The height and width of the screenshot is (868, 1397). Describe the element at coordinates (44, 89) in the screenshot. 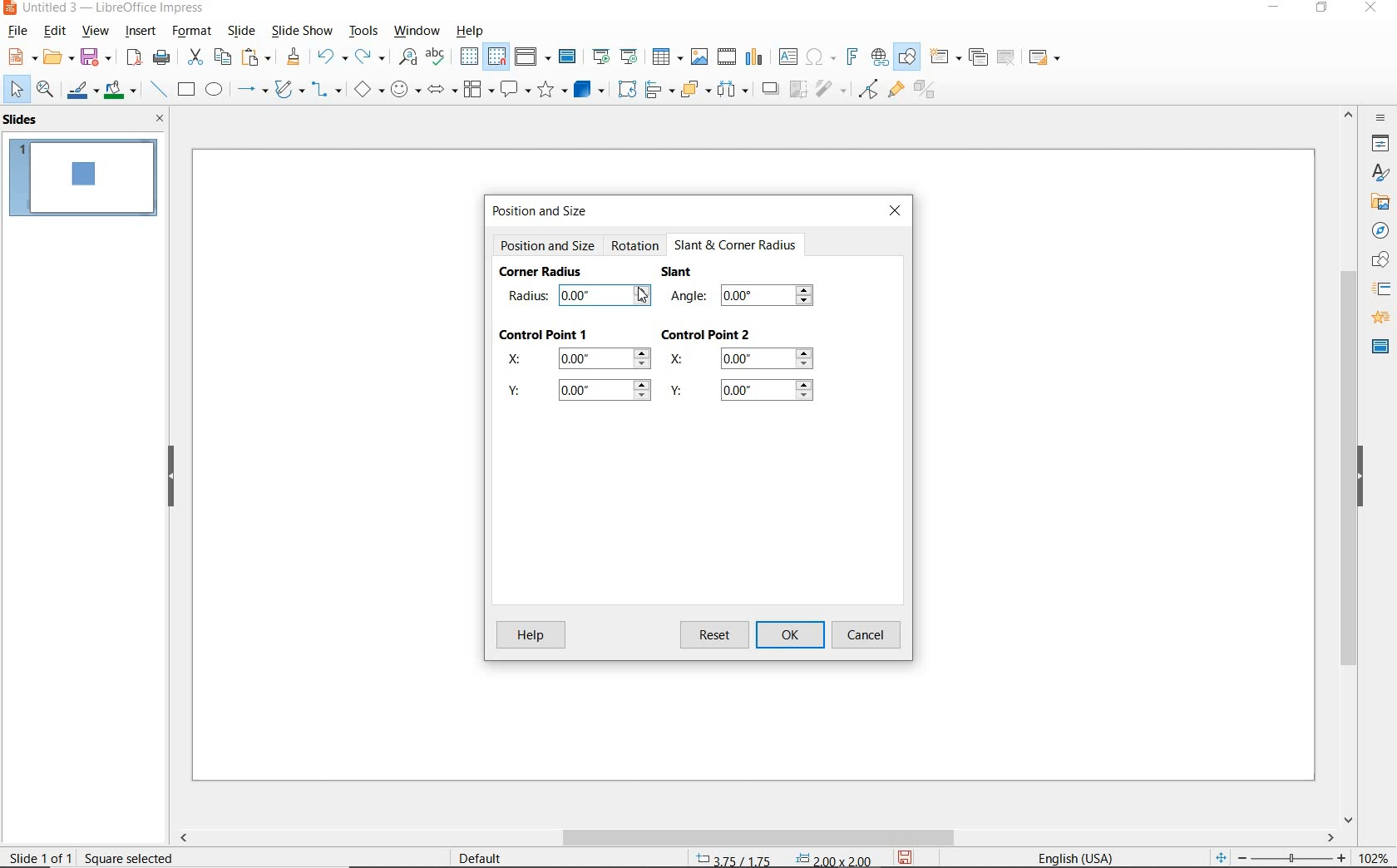

I see `zoom & pan` at that location.